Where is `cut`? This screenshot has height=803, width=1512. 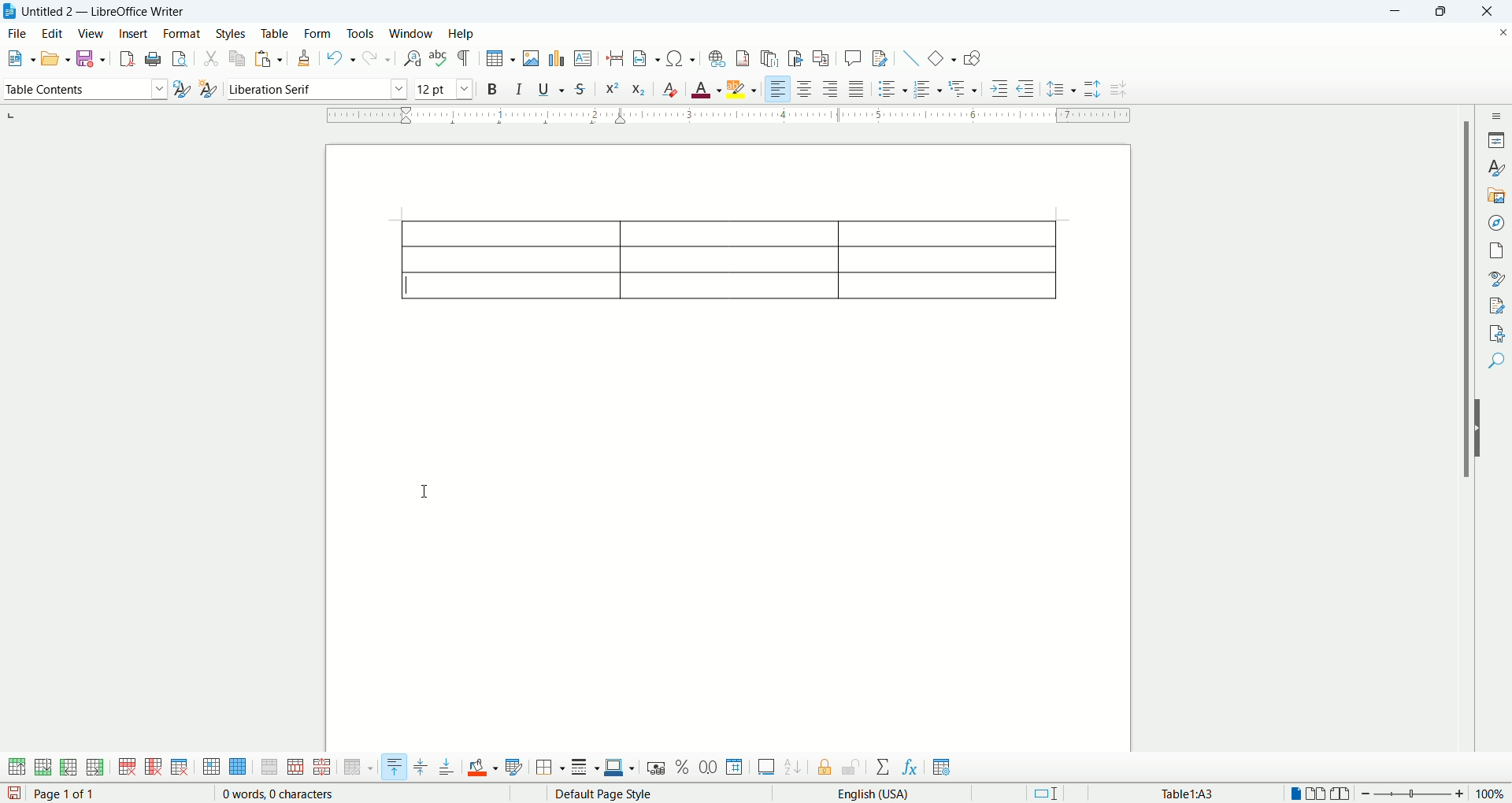 cut is located at coordinates (213, 59).